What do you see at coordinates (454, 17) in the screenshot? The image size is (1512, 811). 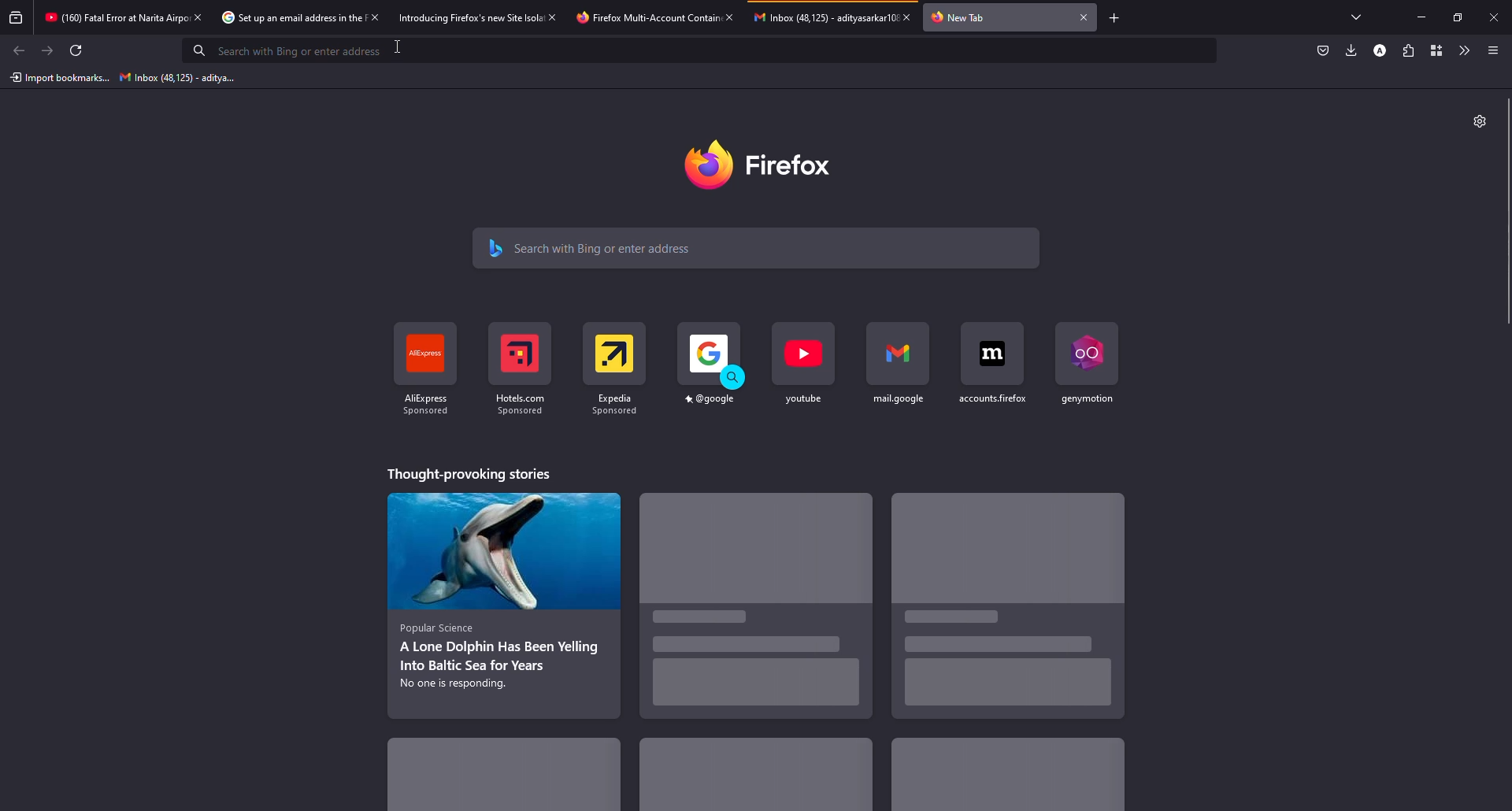 I see `tab` at bounding box center [454, 17].